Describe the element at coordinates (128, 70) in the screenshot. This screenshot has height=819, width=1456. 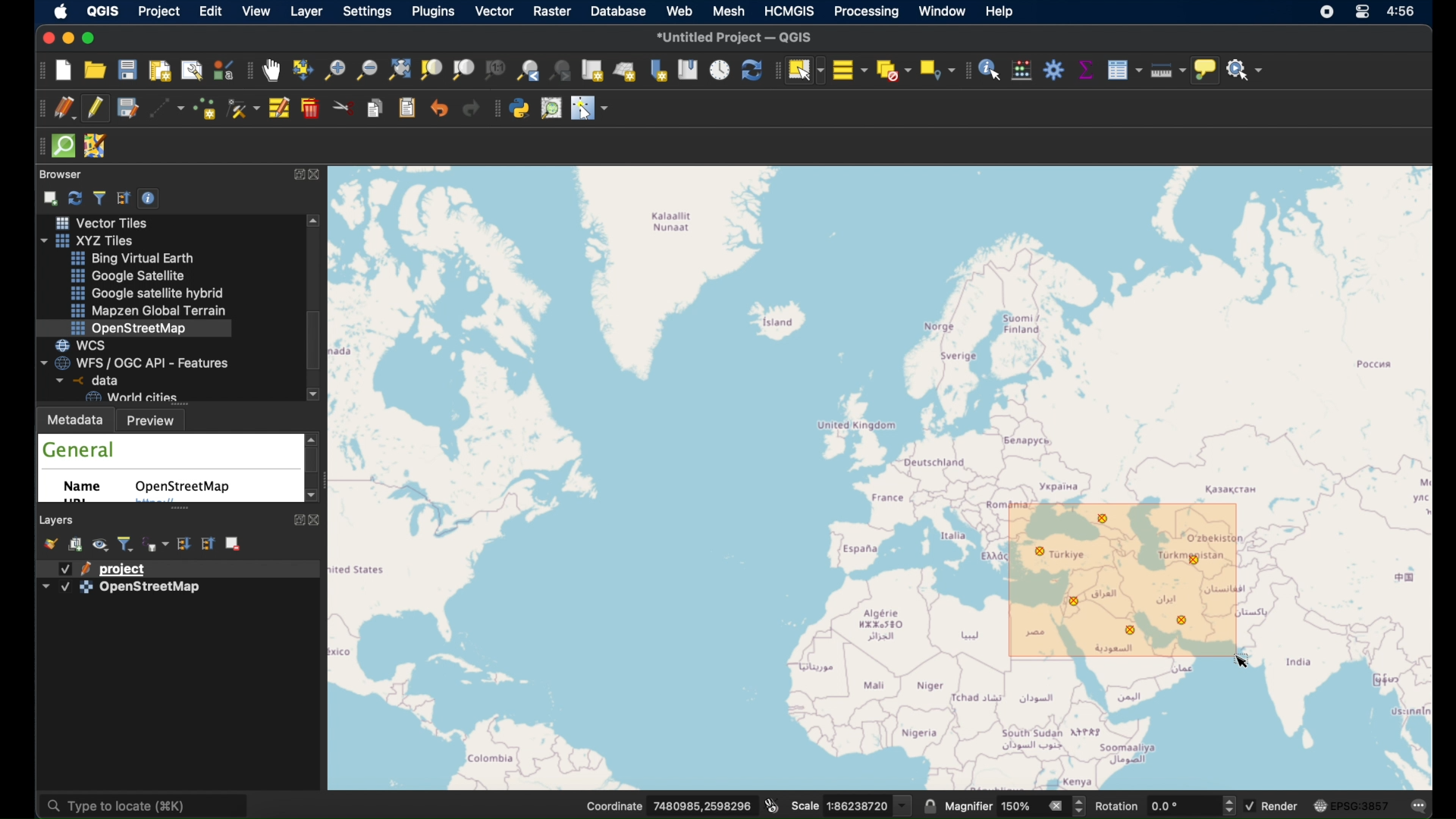
I see `save project` at that location.